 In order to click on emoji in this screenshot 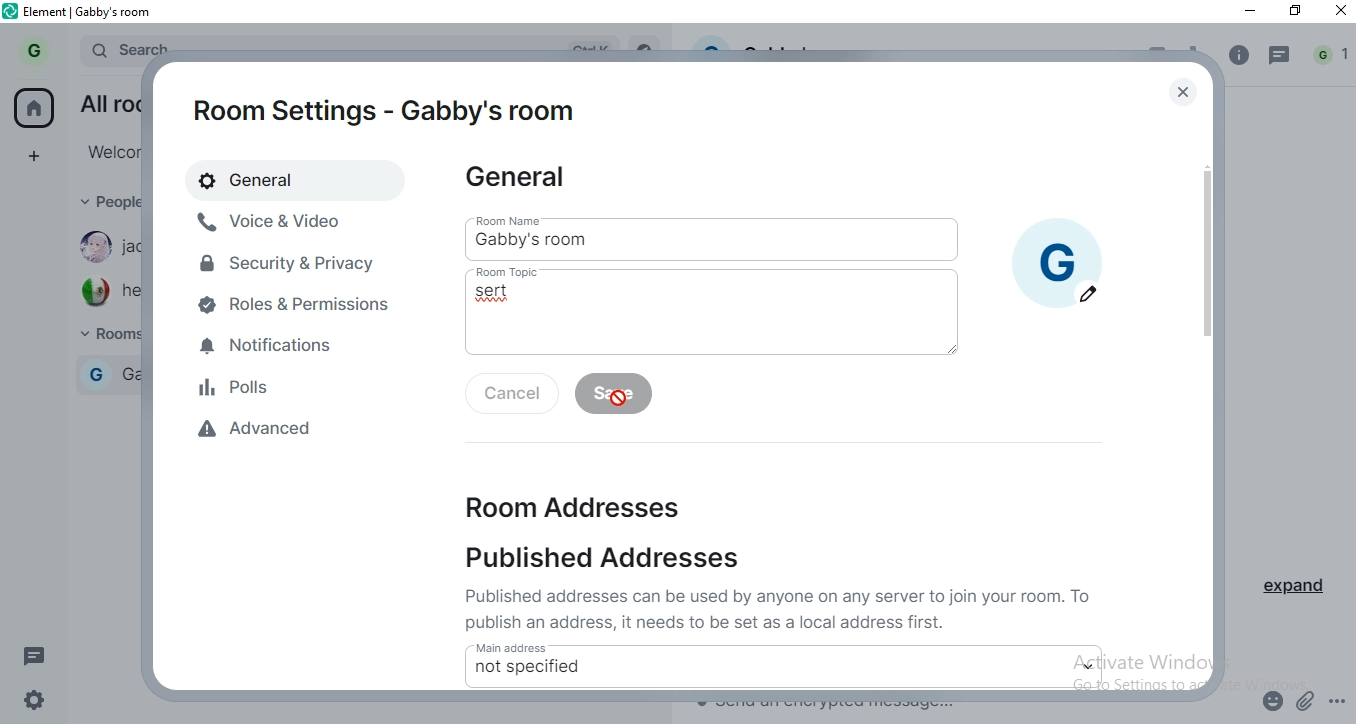, I will do `click(1274, 698)`.